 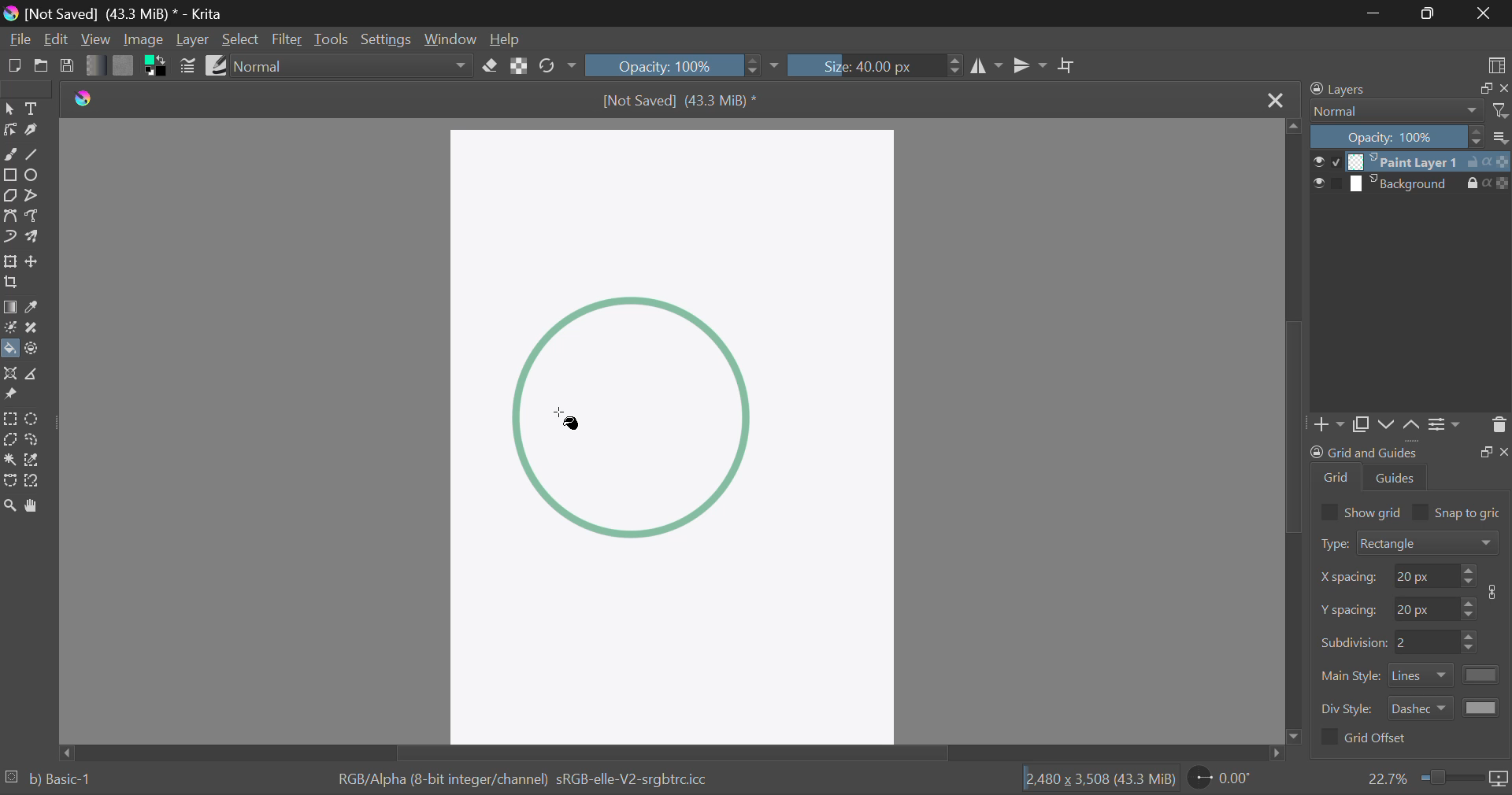 What do you see at coordinates (11, 154) in the screenshot?
I see `Freehand` at bounding box center [11, 154].